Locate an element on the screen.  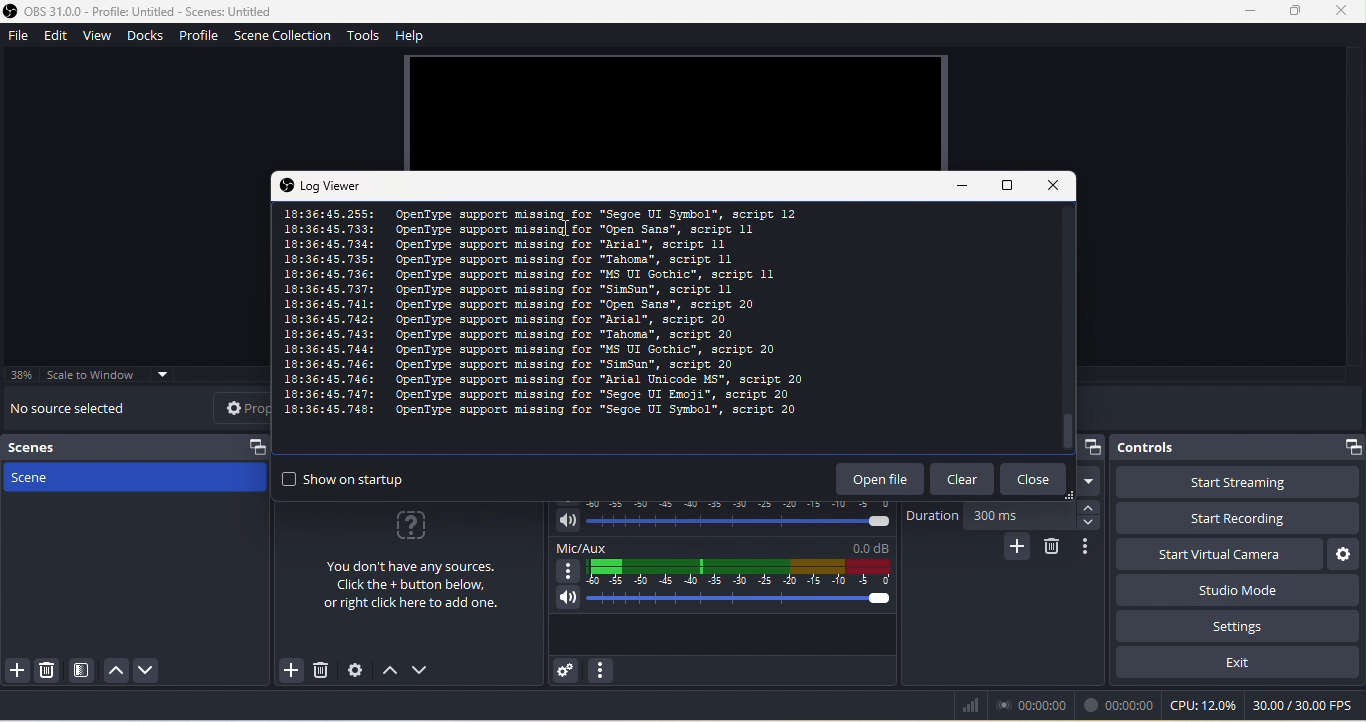
properties is located at coordinates (238, 407).